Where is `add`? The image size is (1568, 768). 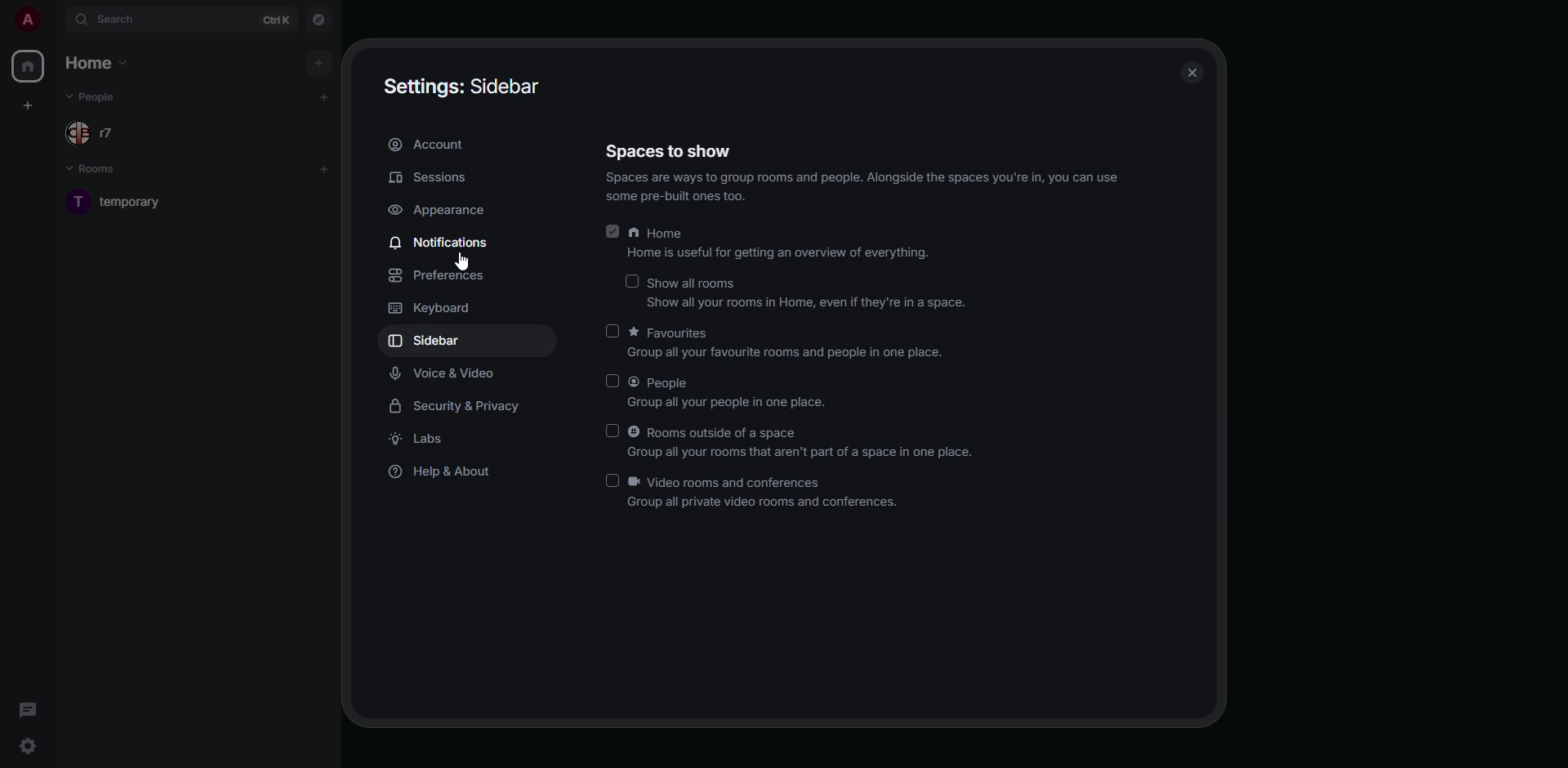
add is located at coordinates (319, 60).